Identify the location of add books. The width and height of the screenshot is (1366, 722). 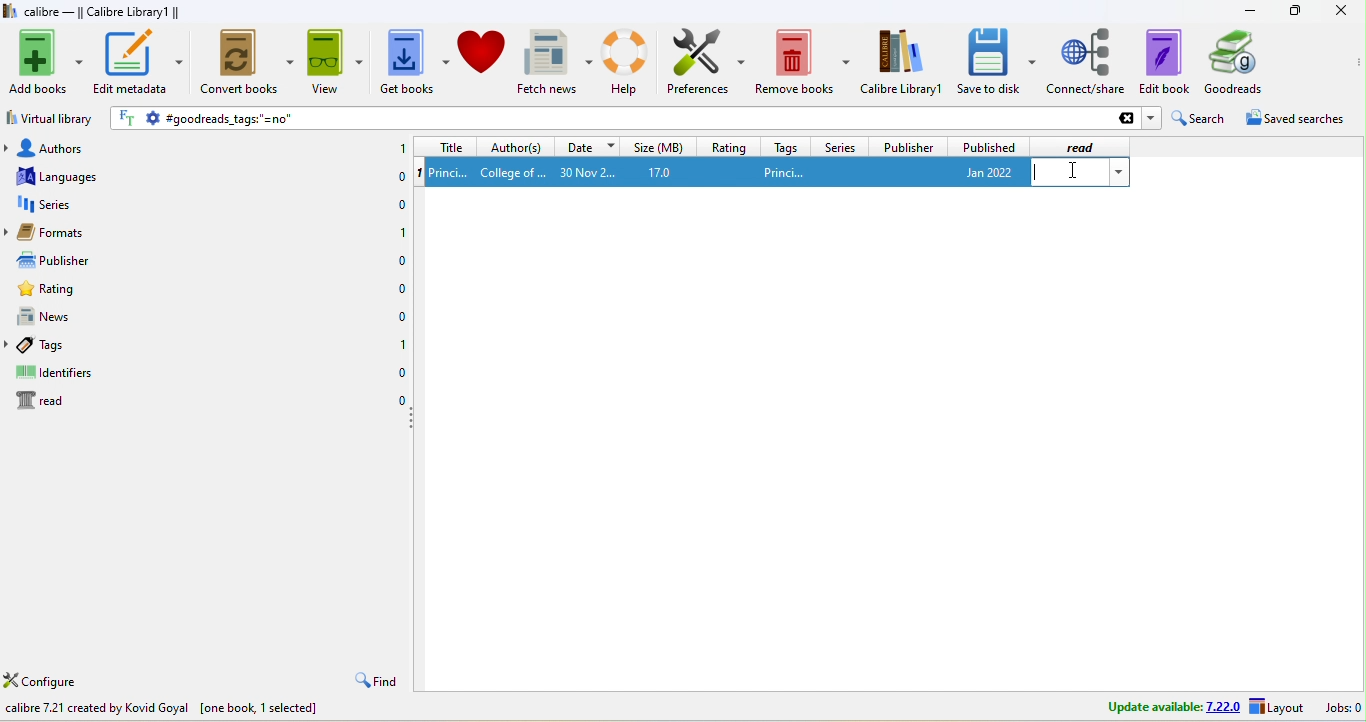
(44, 62).